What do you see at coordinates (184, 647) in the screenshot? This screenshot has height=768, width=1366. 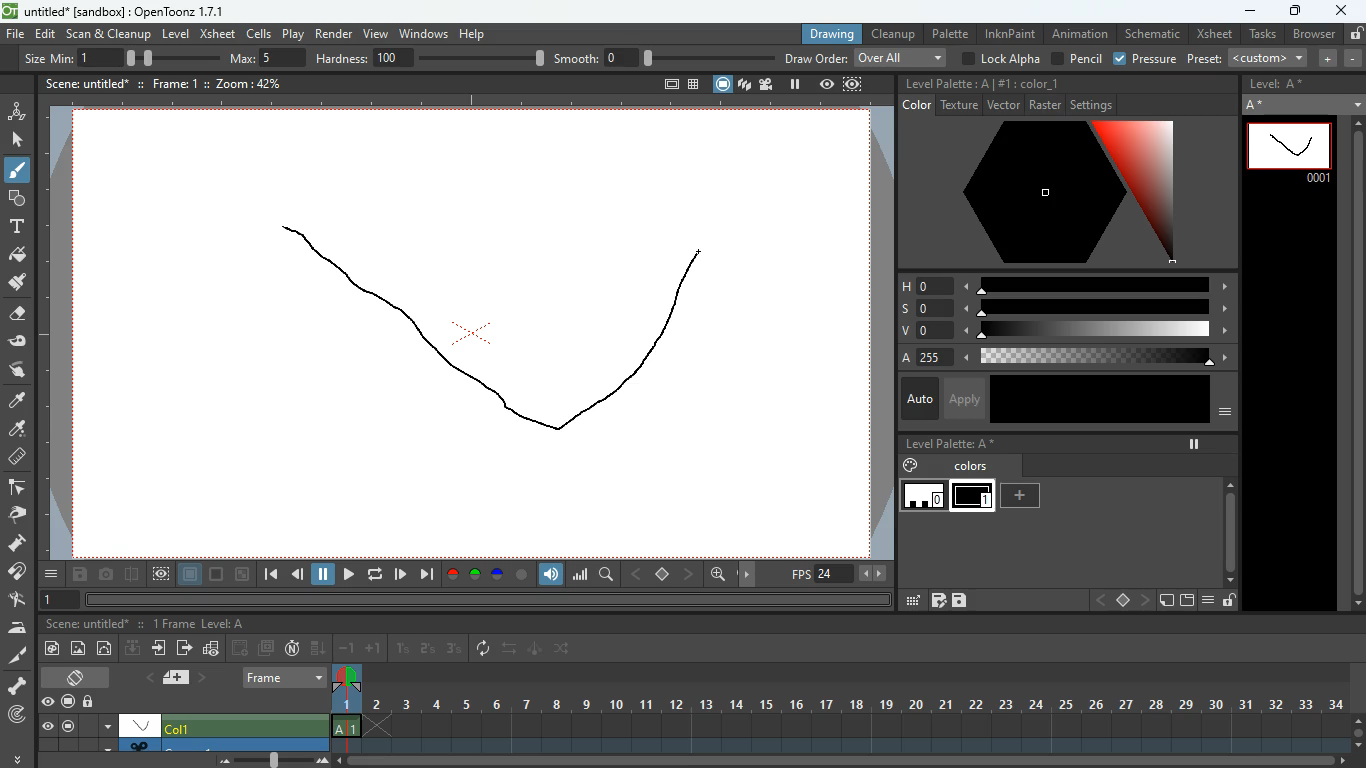 I see `send` at bounding box center [184, 647].